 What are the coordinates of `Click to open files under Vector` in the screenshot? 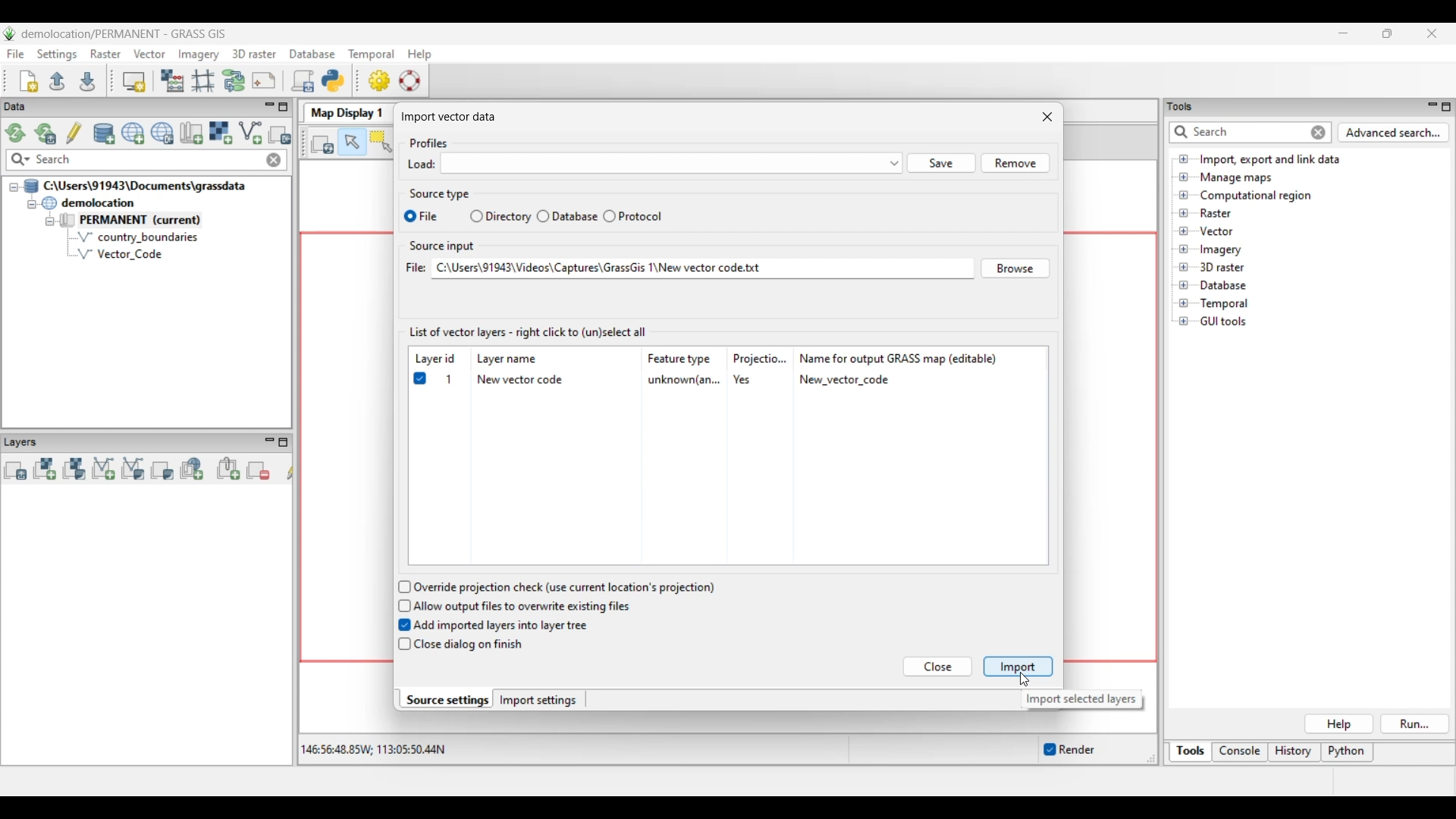 It's located at (1184, 231).